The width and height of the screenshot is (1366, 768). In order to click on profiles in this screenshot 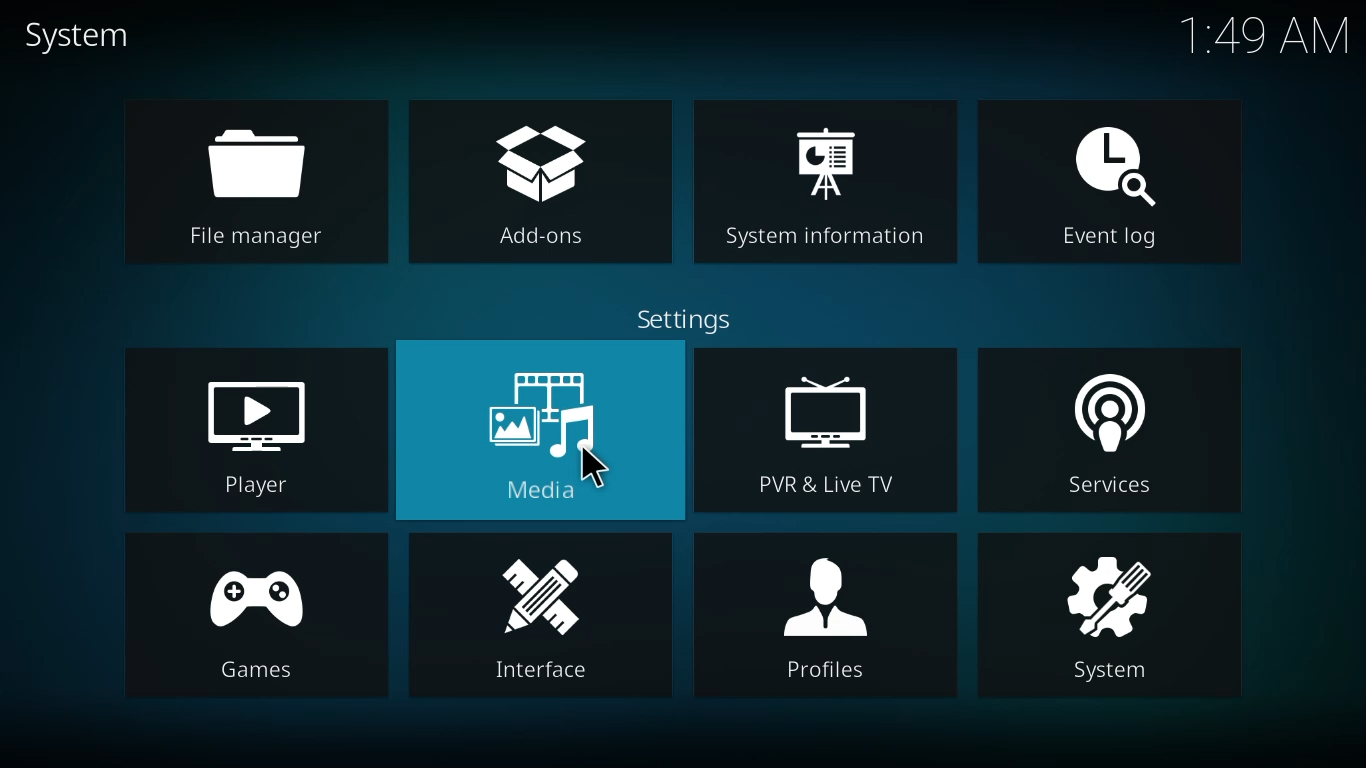, I will do `click(822, 614)`.